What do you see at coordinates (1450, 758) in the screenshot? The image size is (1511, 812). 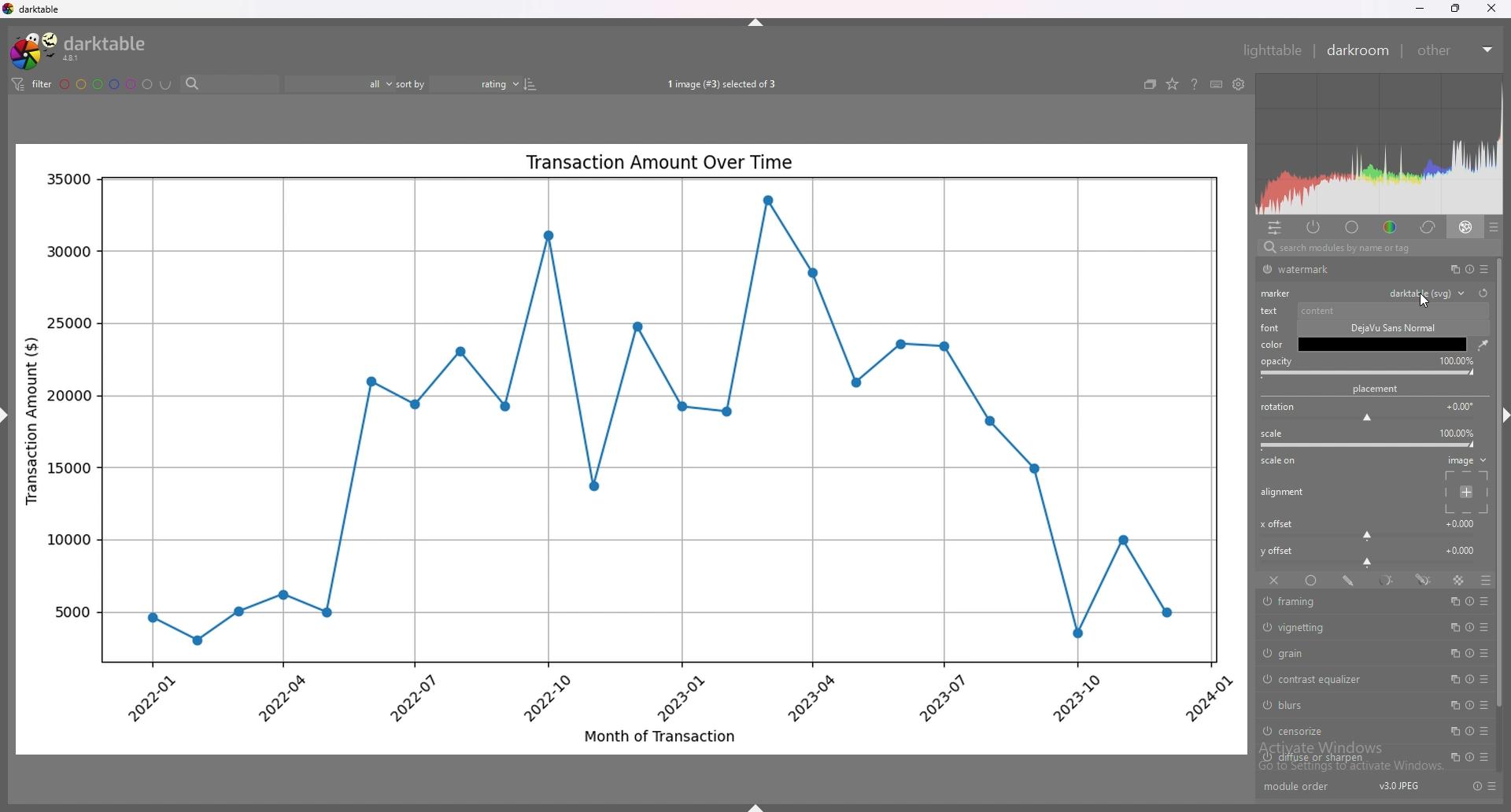 I see `multiple instances action` at bounding box center [1450, 758].